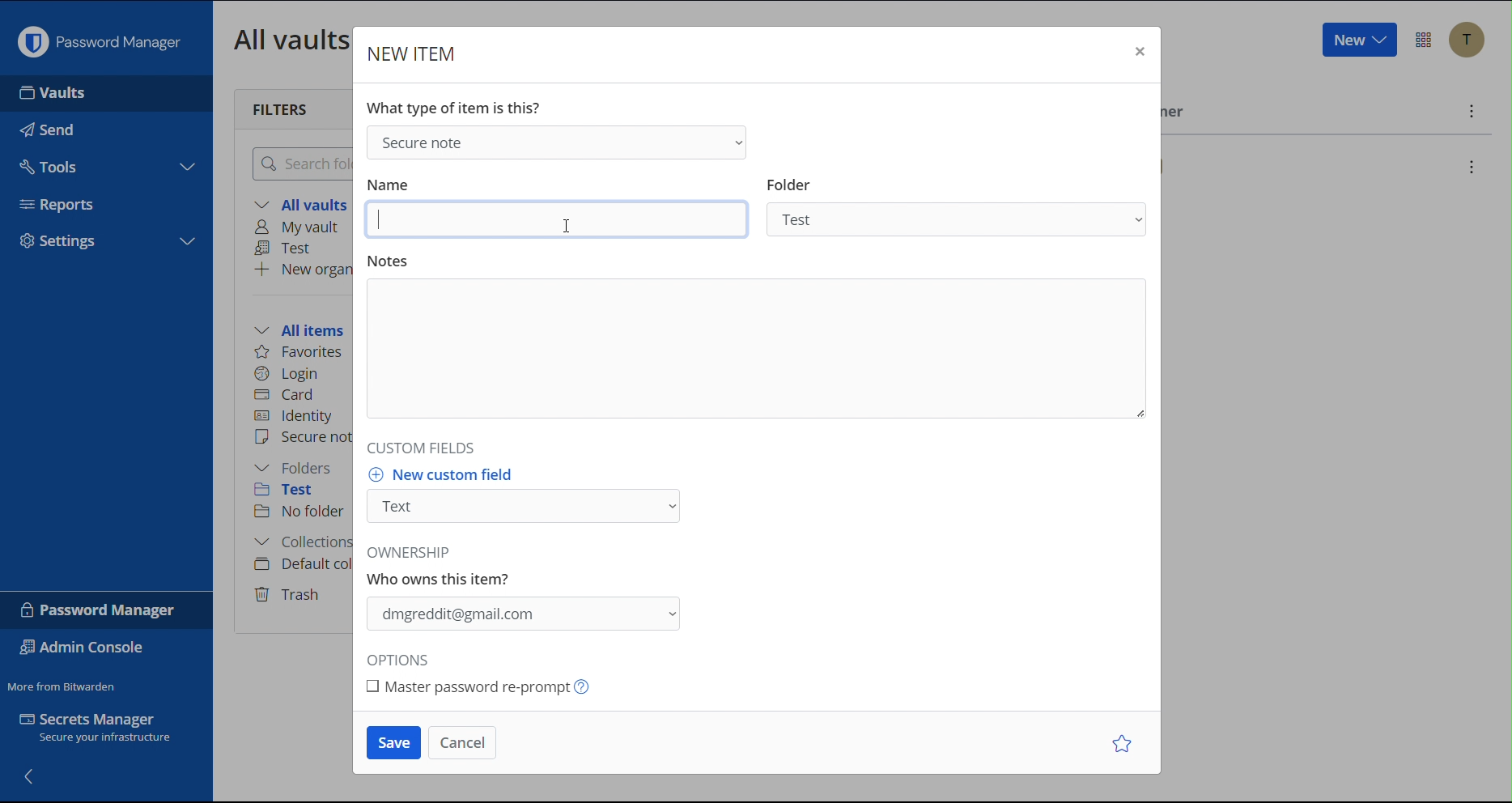 The width and height of the screenshot is (1512, 803). Describe the element at coordinates (1358, 40) in the screenshot. I see `New` at that location.